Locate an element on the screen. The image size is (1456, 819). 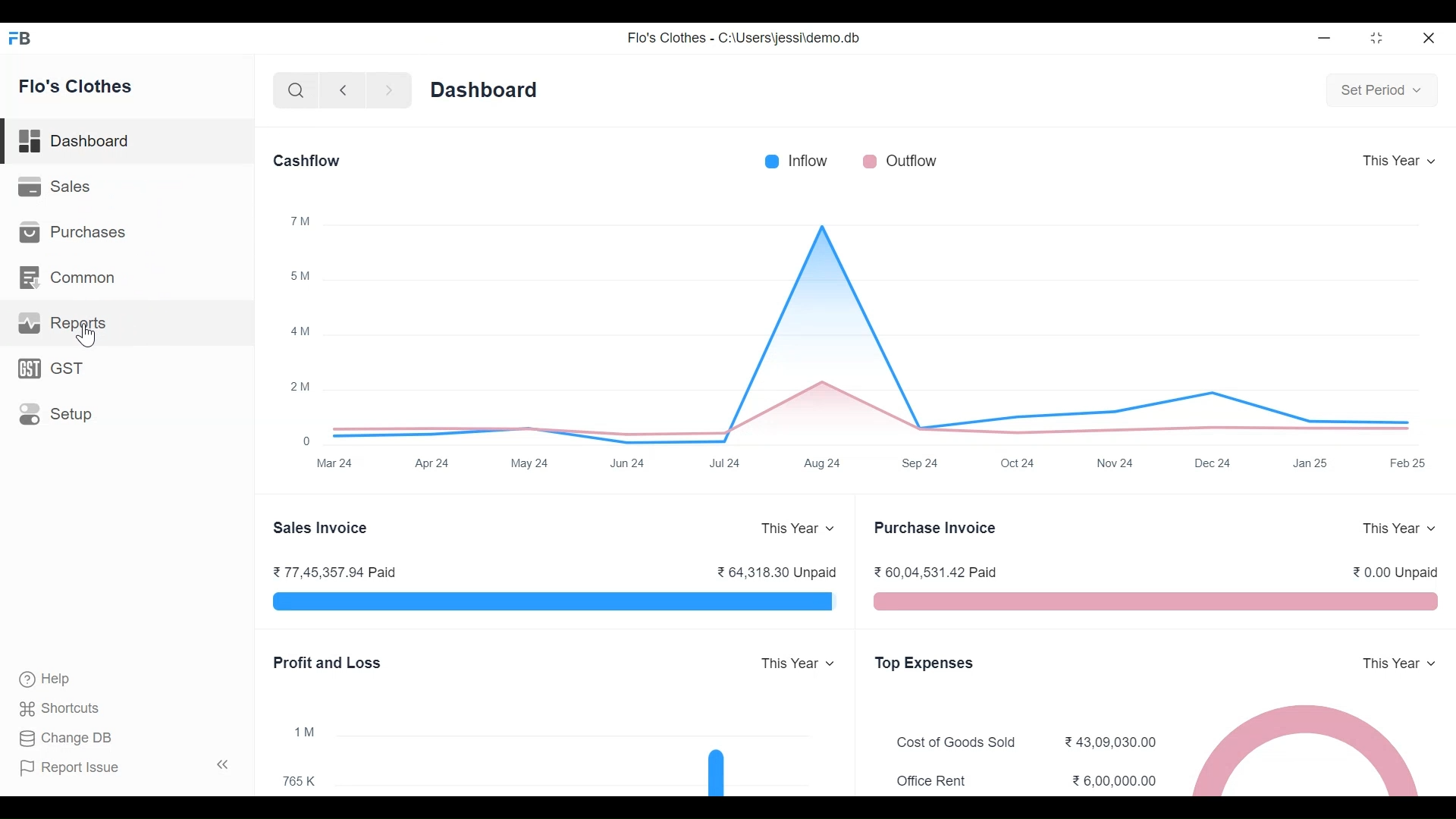
Common is located at coordinates (70, 276).